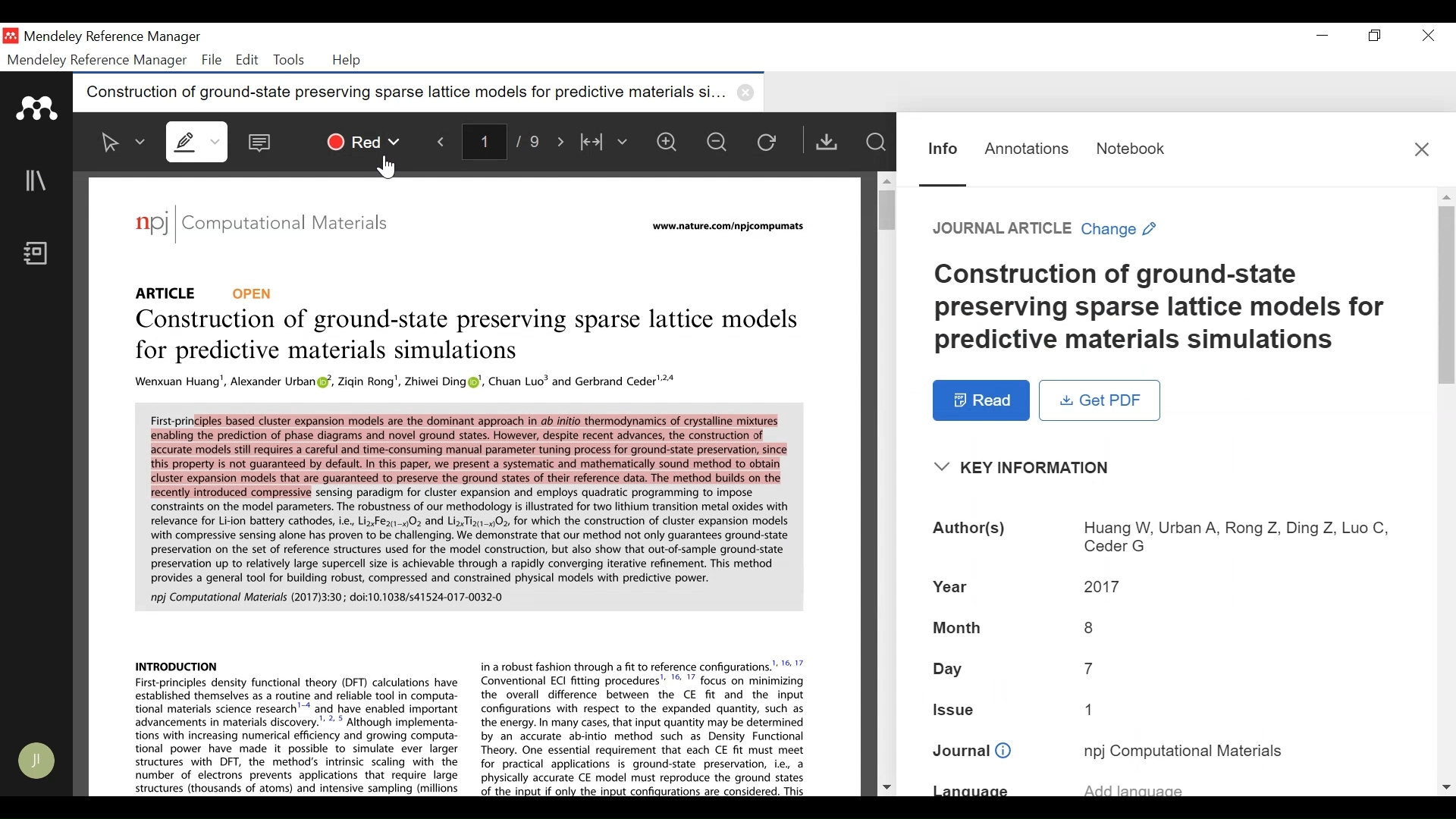 The width and height of the screenshot is (1456, 819). Describe the element at coordinates (469, 506) in the screenshot. I see `First-principles based cluster expansion models are the dominant approach in ab initio thermodynamics of crystalline mixtures
enabling the prediction of phase diagrams and novel ground states. However, despite recent advances, the construction of
accurate models still requires a careful and time-consuming manual parameter tuning process for ground-state preservation, since
this property is not guaranteed by default. In this paper, we present a systematic and mathematically sound method to obtain
cluster expansion models that are guaranteed to preserve the ground states of their reference data. The method builds on the
fecently introduced compressive sensing paradigm for cluster expansion and employs quadratic programming to impose
constraints on the model parameters. The robustness of our methodology is illustrated for two lithium transition metal oxides with
relevance for Li-ion battery cathodes, i.e, LizFez-40; and Liz Tixy-4Os, for which the construction of cluster expansion models
with compressive sensing alone has proven to be challenging. We demonstrate that our method not only guarantees ground-state
preservation on the set of reference structures used for the model construction, but also show that out-of-sample ground-state
preservation up to relatively large supercell size is achievable through a rapidly converging iterative refinement. This method
provides a general tool for building robust, compressed and constrained physical models with predictive power.

noi Computational Materials (20171330 doi*10.1038/<41524-017-0032-0` at that location.